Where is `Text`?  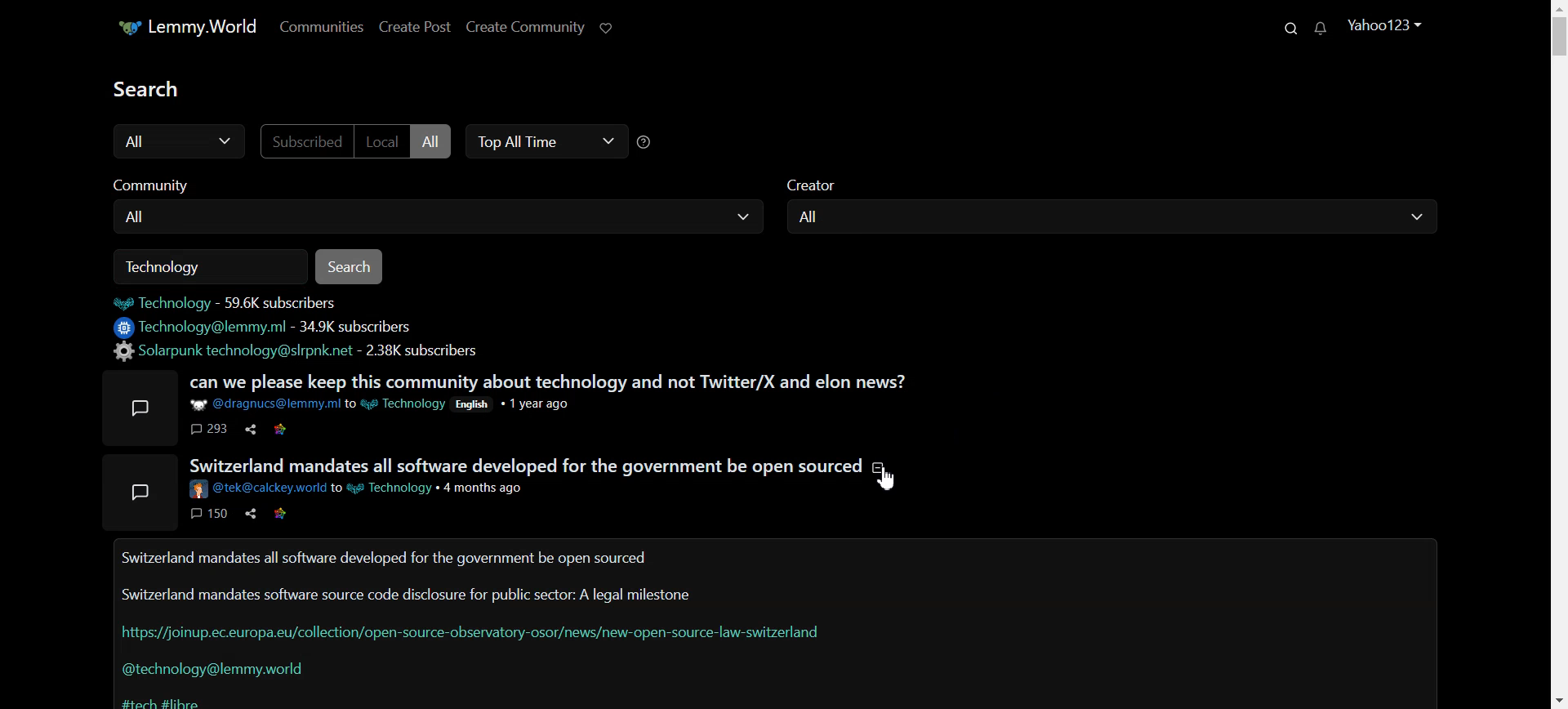
Text is located at coordinates (153, 87).